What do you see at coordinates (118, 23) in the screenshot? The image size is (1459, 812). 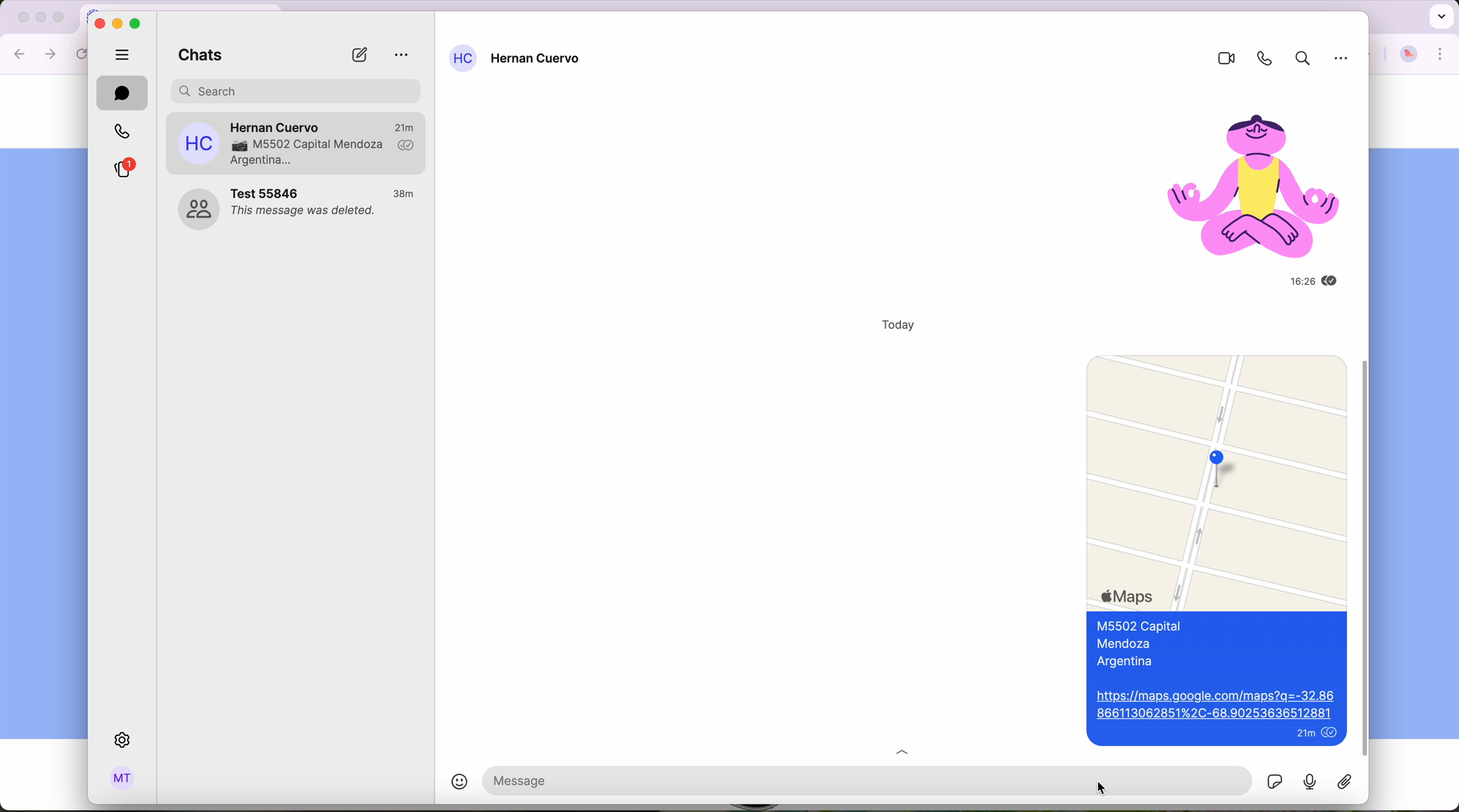 I see `screen buttons` at bounding box center [118, 23].